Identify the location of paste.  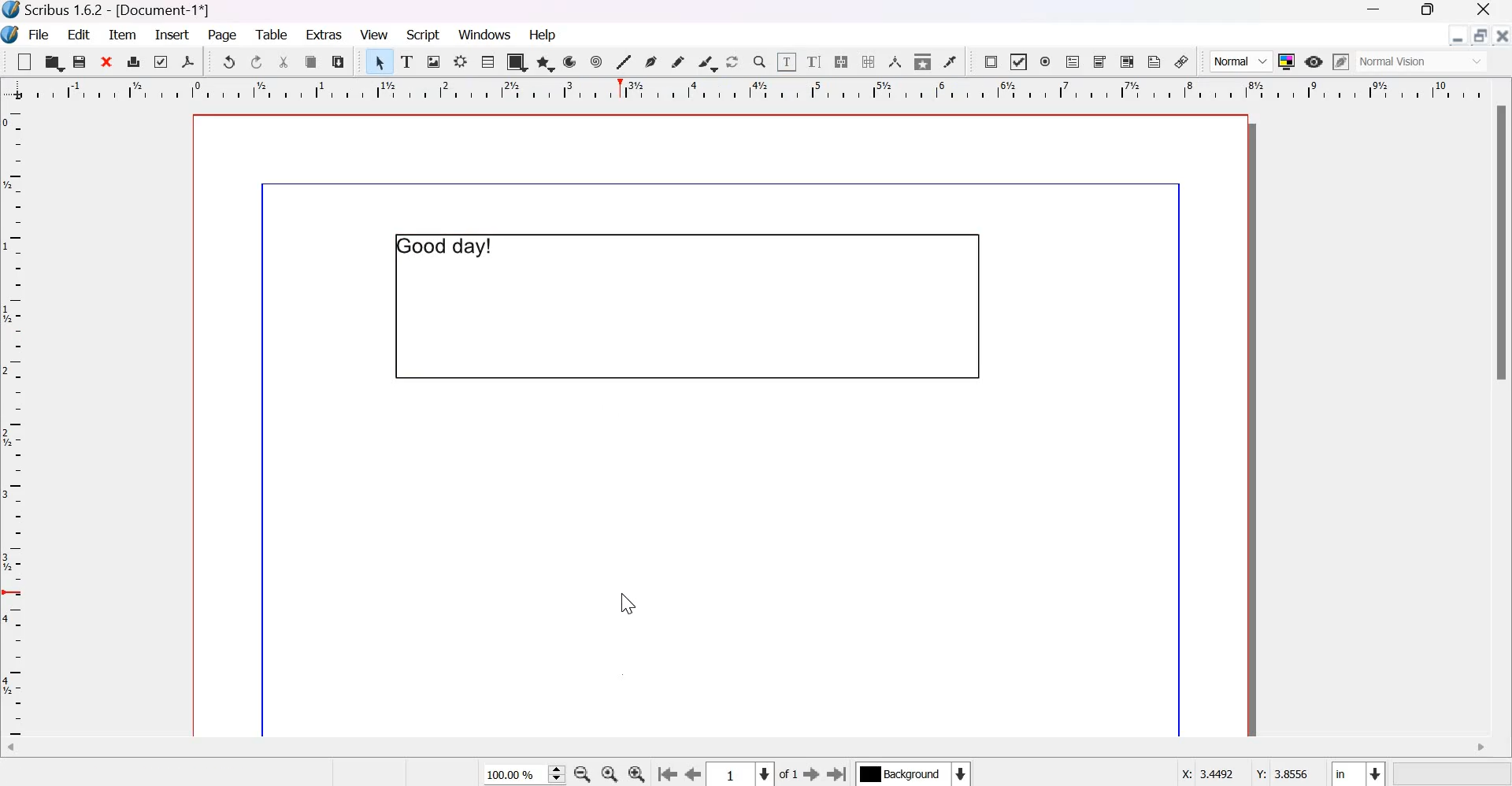
(339, 61).